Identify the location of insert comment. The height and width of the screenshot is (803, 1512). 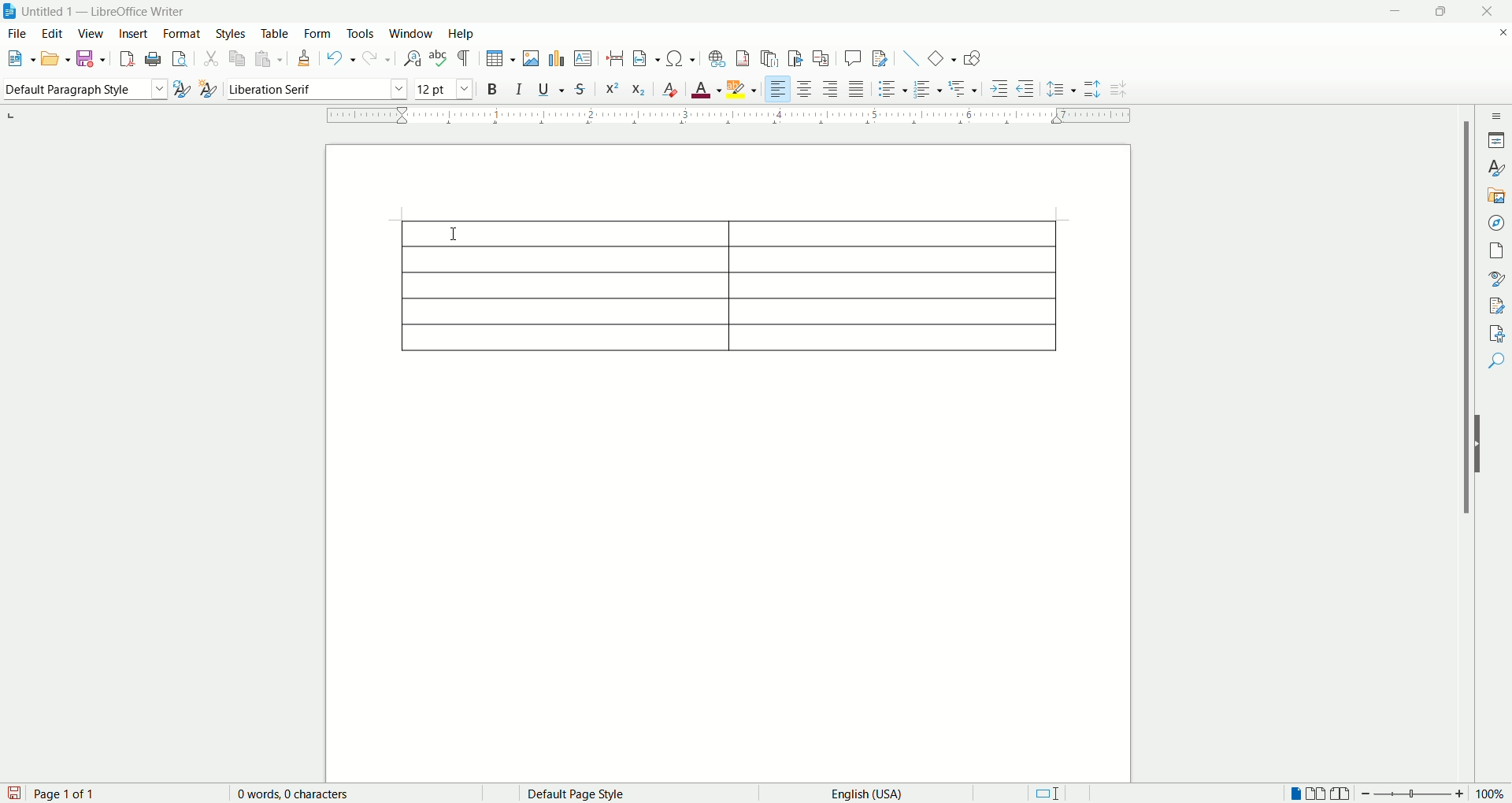
(856, 57).